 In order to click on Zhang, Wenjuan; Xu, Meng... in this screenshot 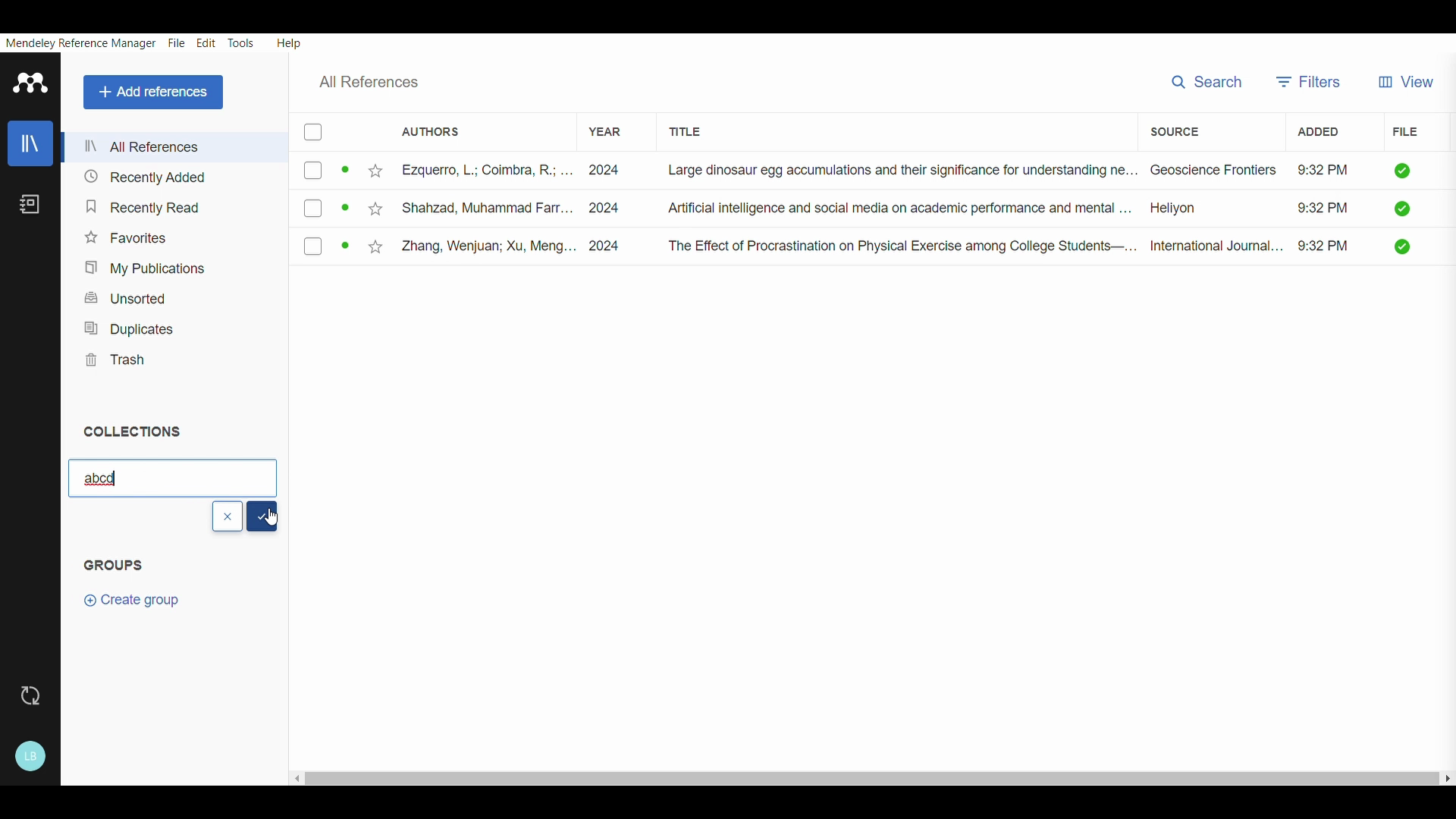, I will do `click(467, 246)`.